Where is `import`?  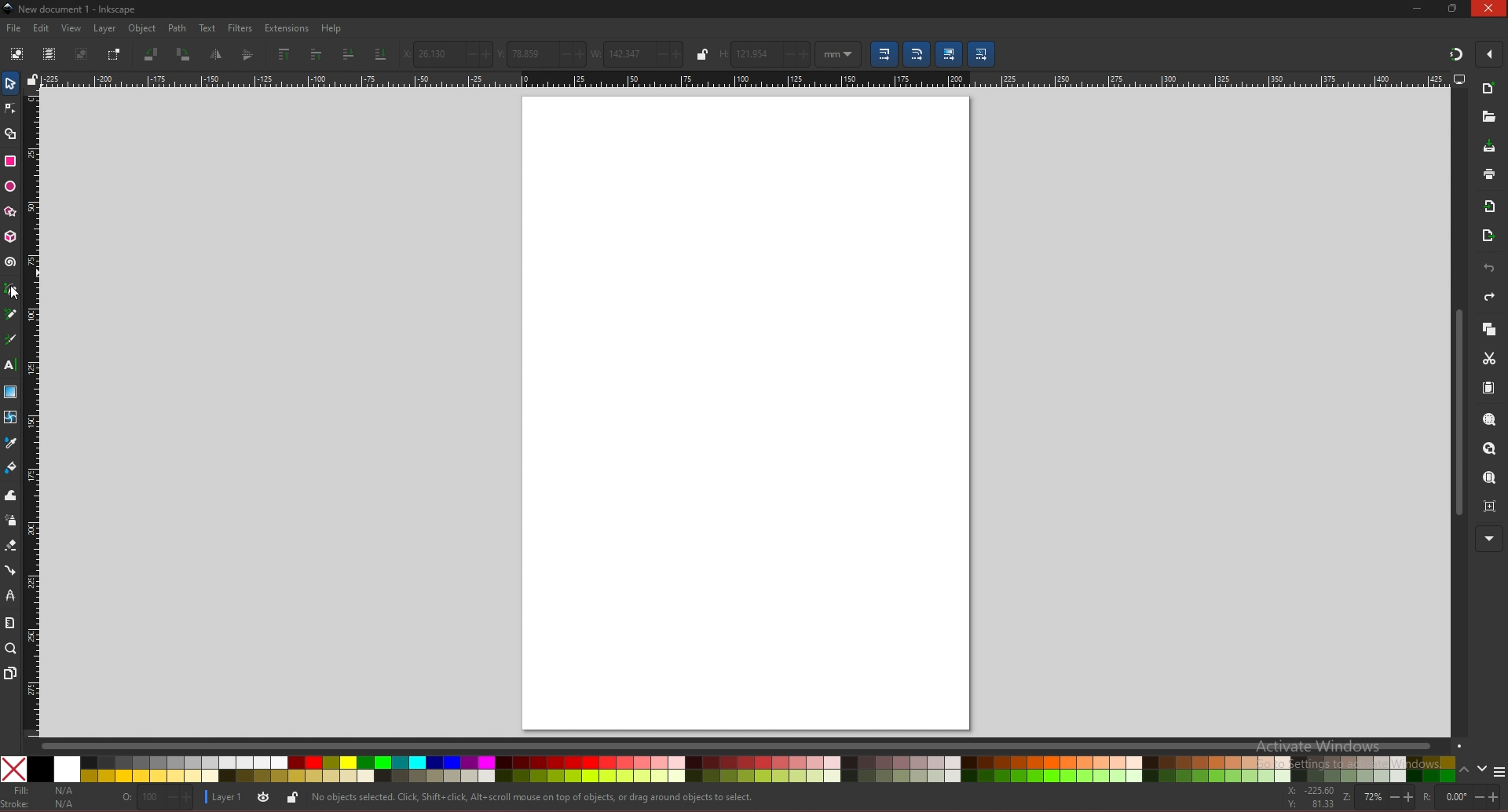
import is located at coordinates (1493, 207).